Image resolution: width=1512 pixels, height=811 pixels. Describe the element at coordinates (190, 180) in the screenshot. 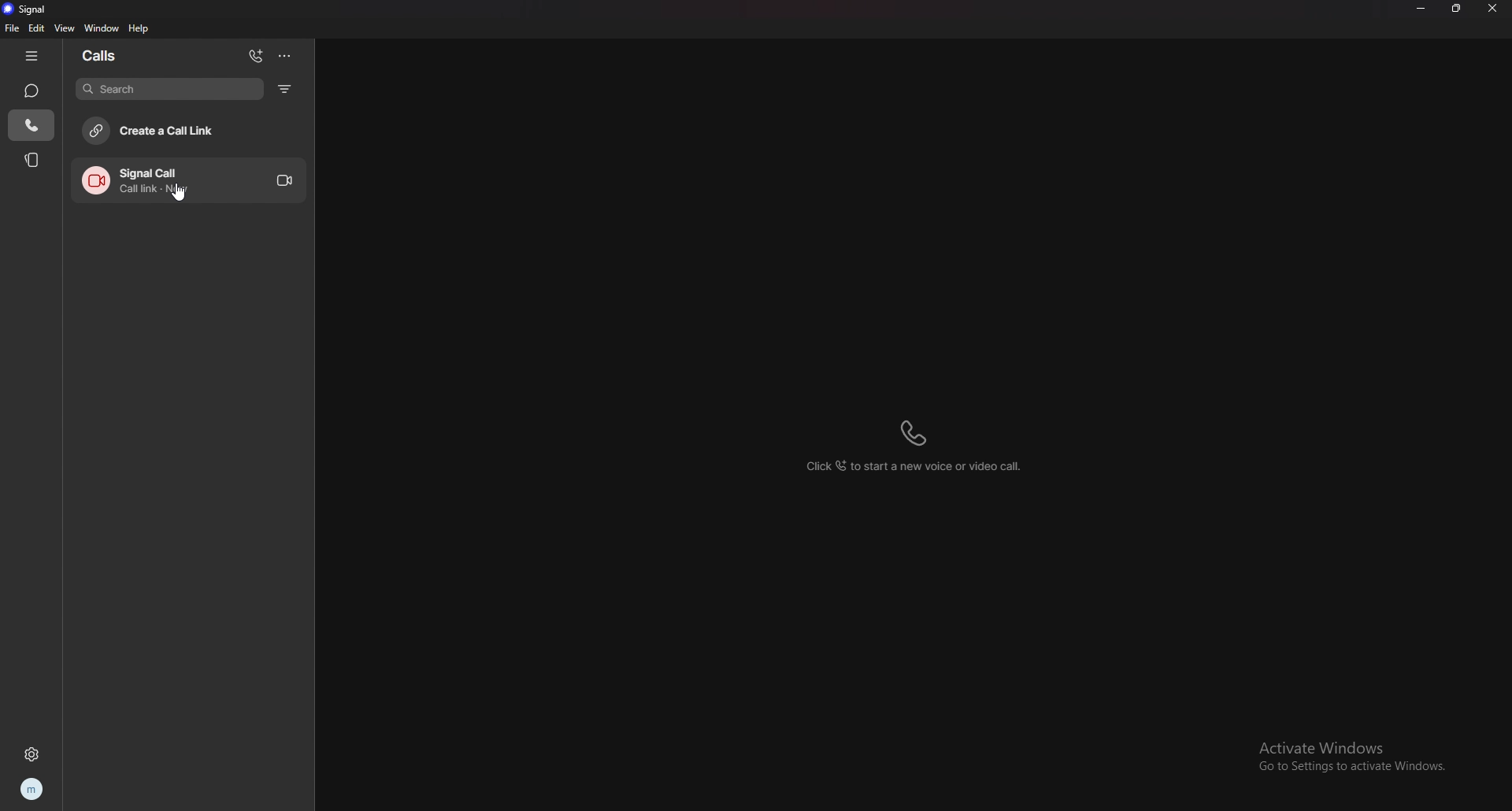

I see `call` at that location.